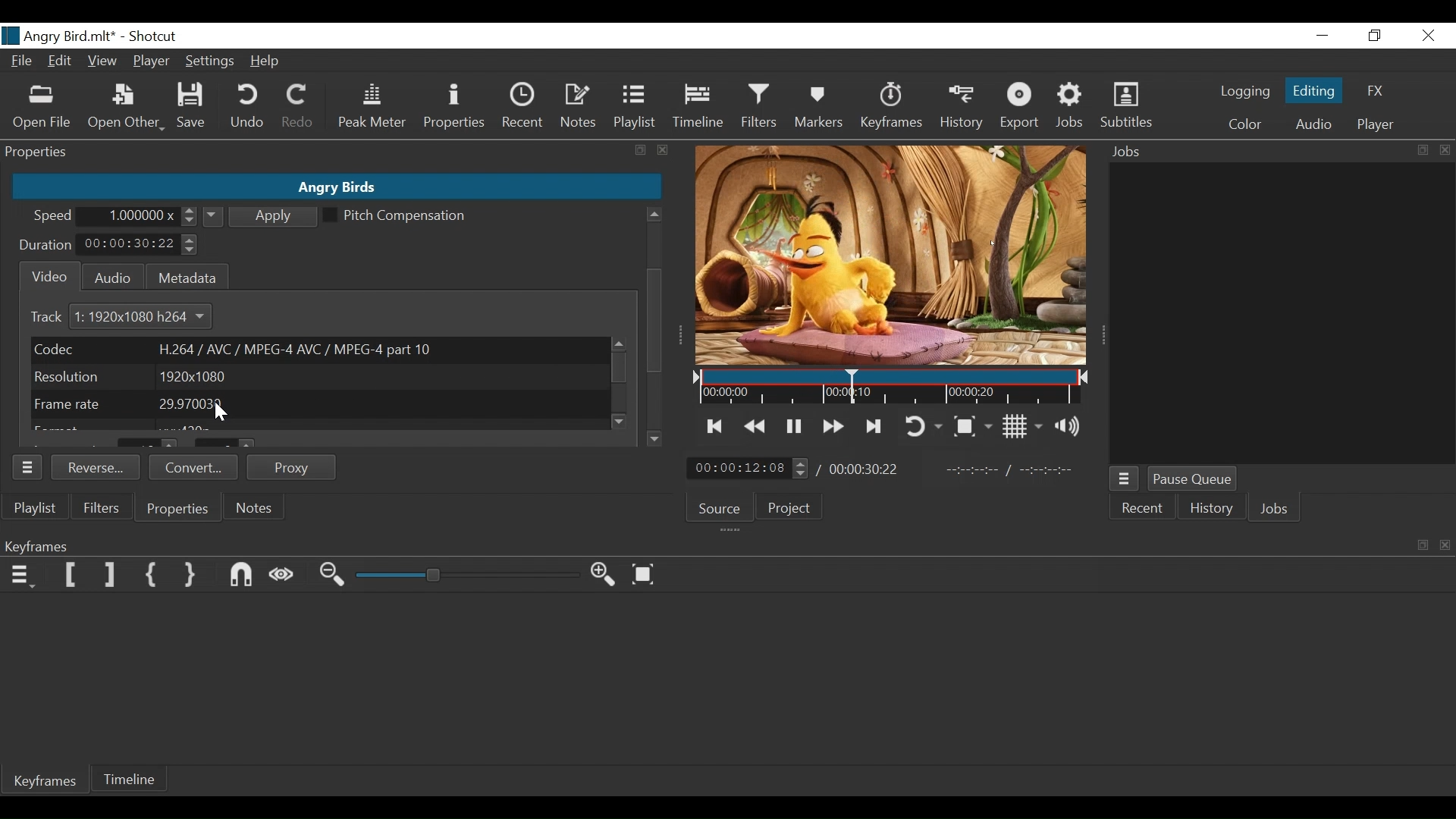 The width and height of the screenshot is (1456, 819). I want to click on Media Viewer, so click(893, 256).